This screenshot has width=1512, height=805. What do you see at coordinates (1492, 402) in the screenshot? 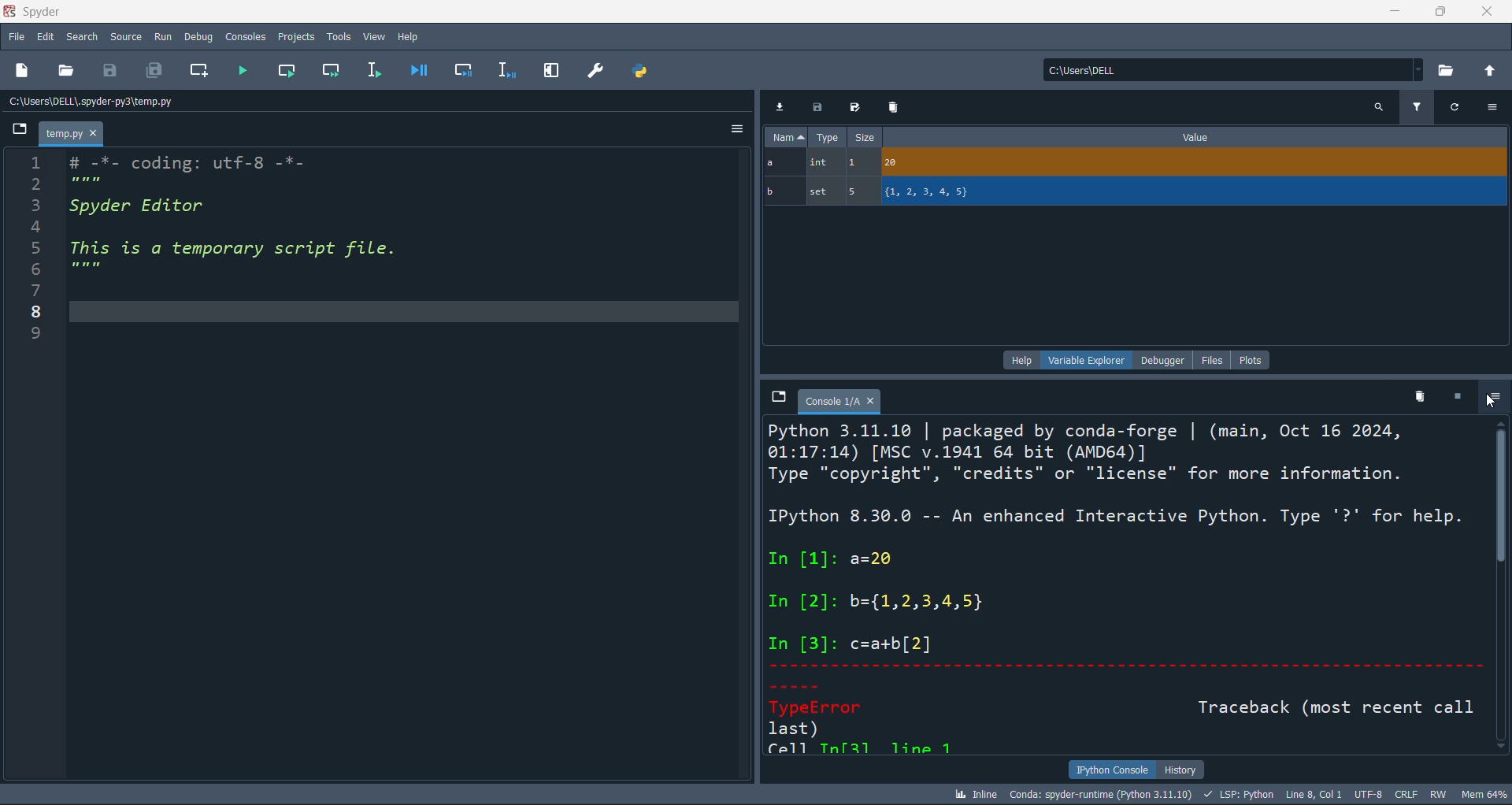
I see `cursor` at bounding box center [1492, 402].